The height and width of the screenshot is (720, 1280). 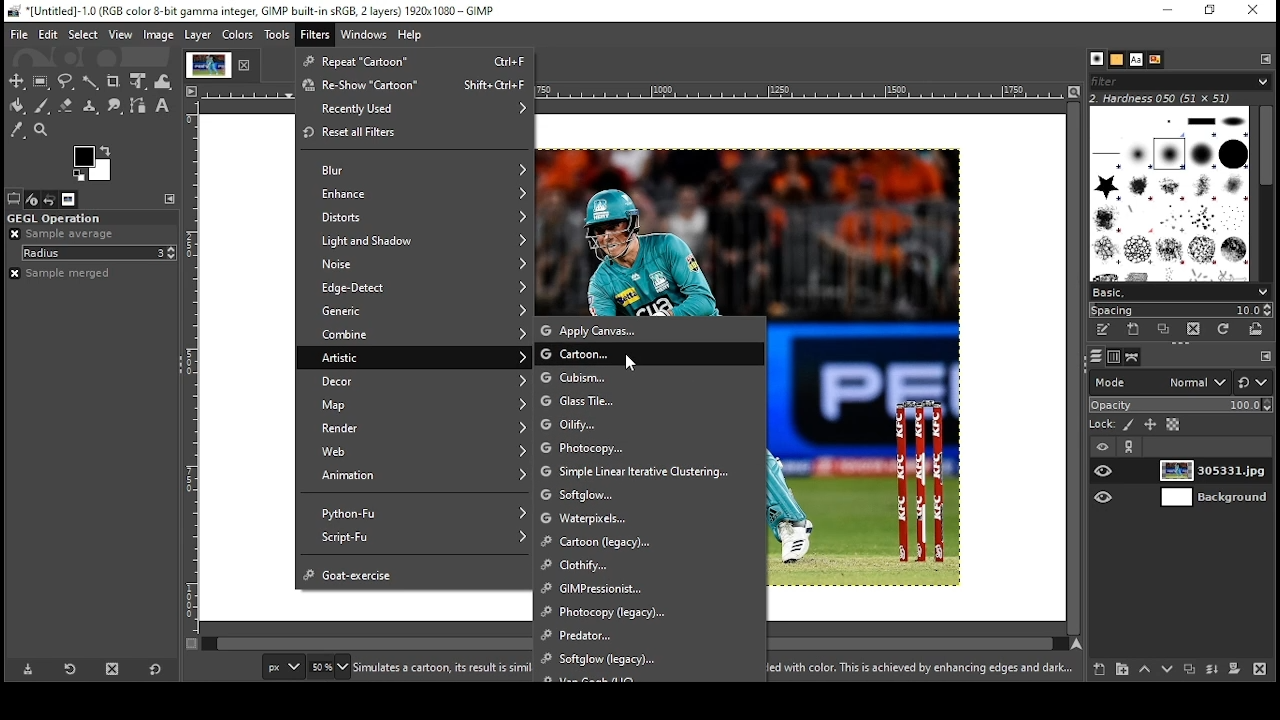 I want to click on move layer one step up, so click(x=1145, y=670).